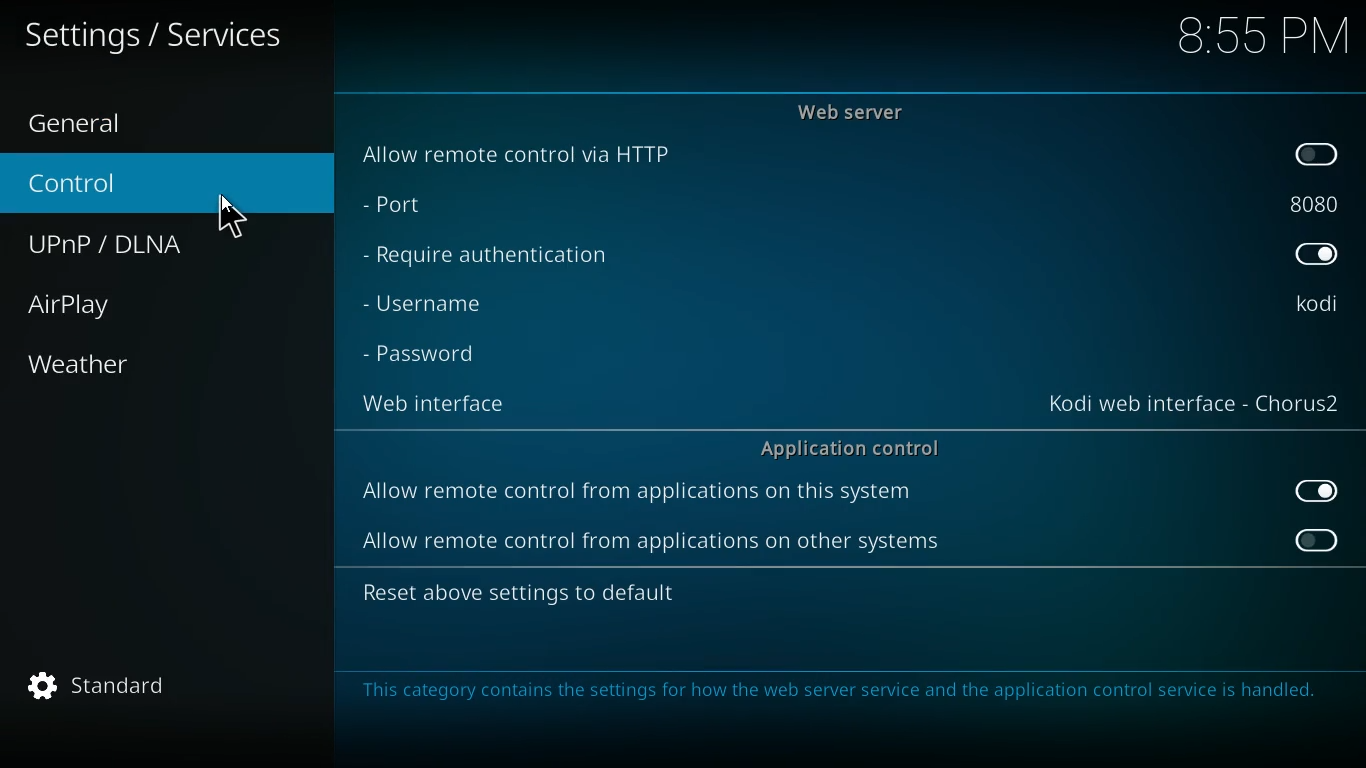 The image size is (1366, 768). Describe the element at coordinates (1323, 491) in the screenshot. I see `on` at that location.